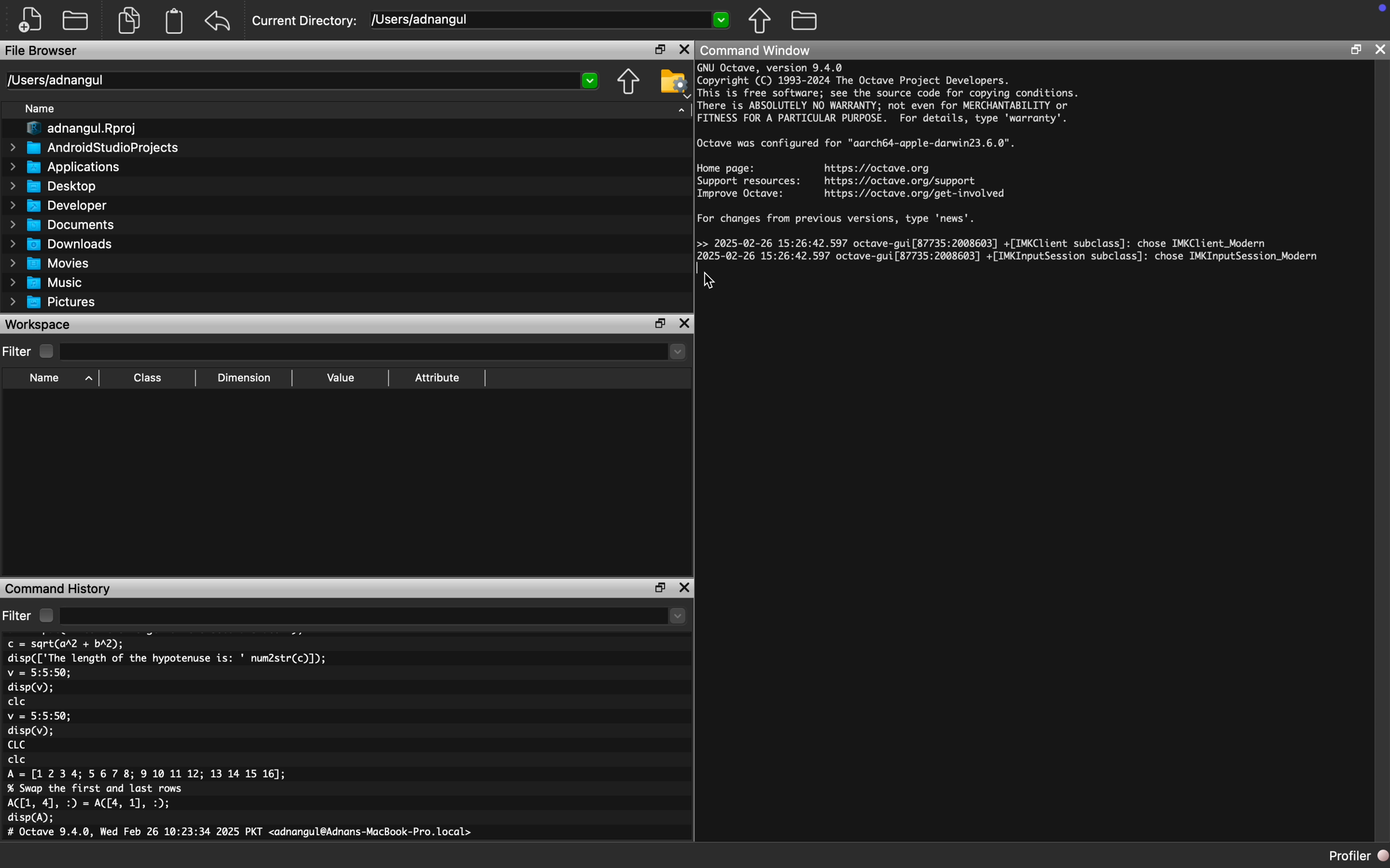  What do you see at coordinates (58, 379) in the screenshot?
I see `Name ` at bounding box center [58, 379].